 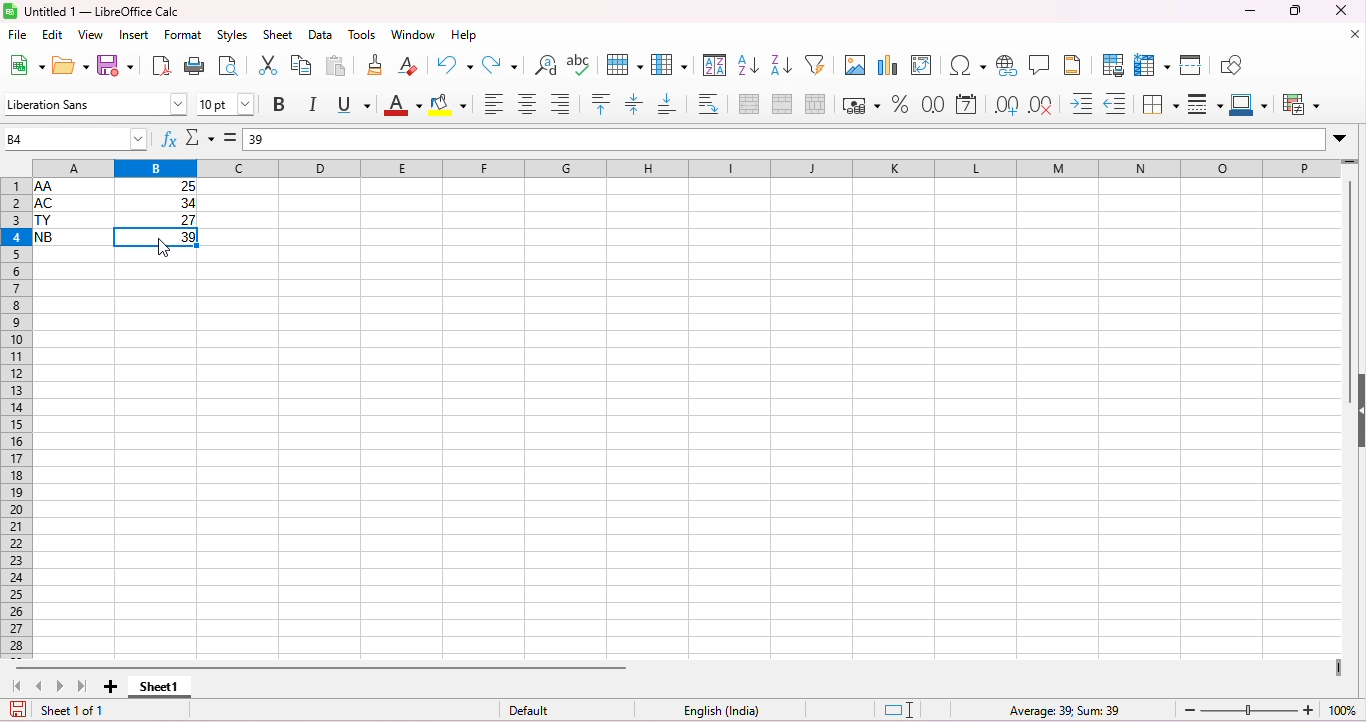 I want to click on background, so click(x=451, y=106).